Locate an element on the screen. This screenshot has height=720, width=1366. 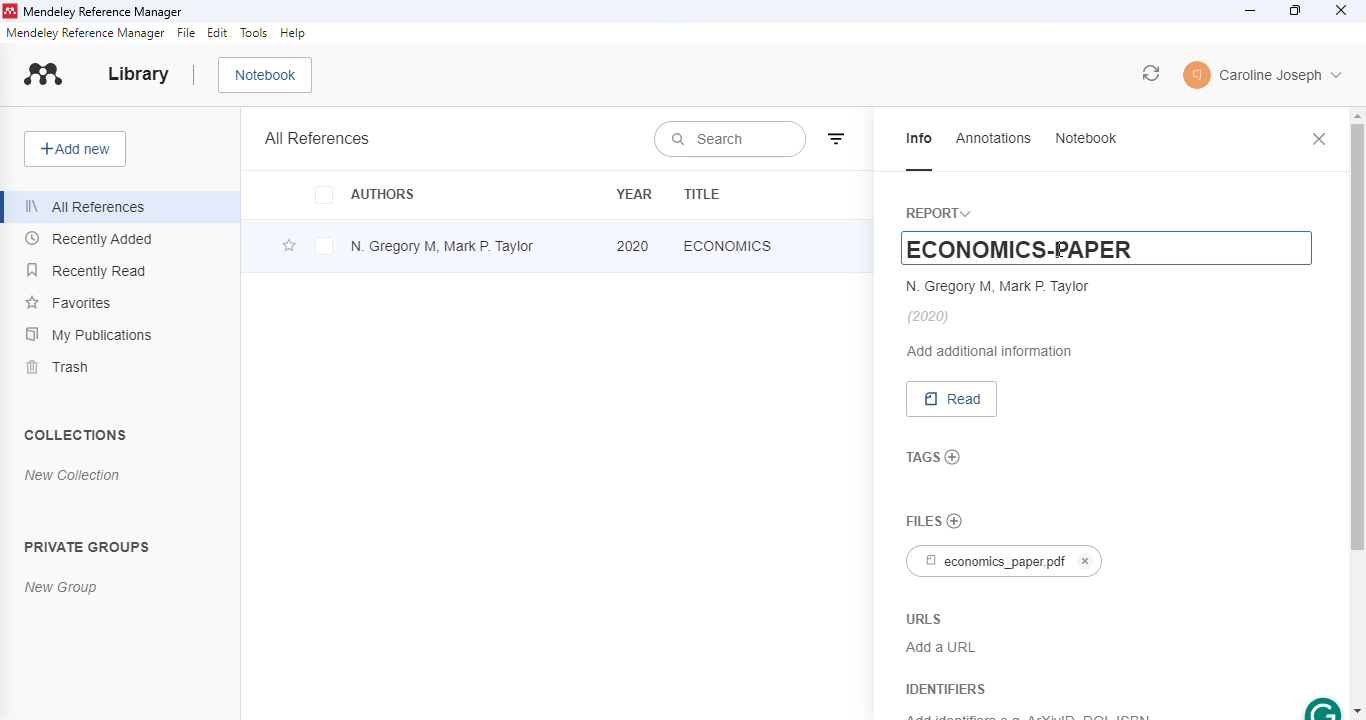
profile is located at coordinates (1264, 75).